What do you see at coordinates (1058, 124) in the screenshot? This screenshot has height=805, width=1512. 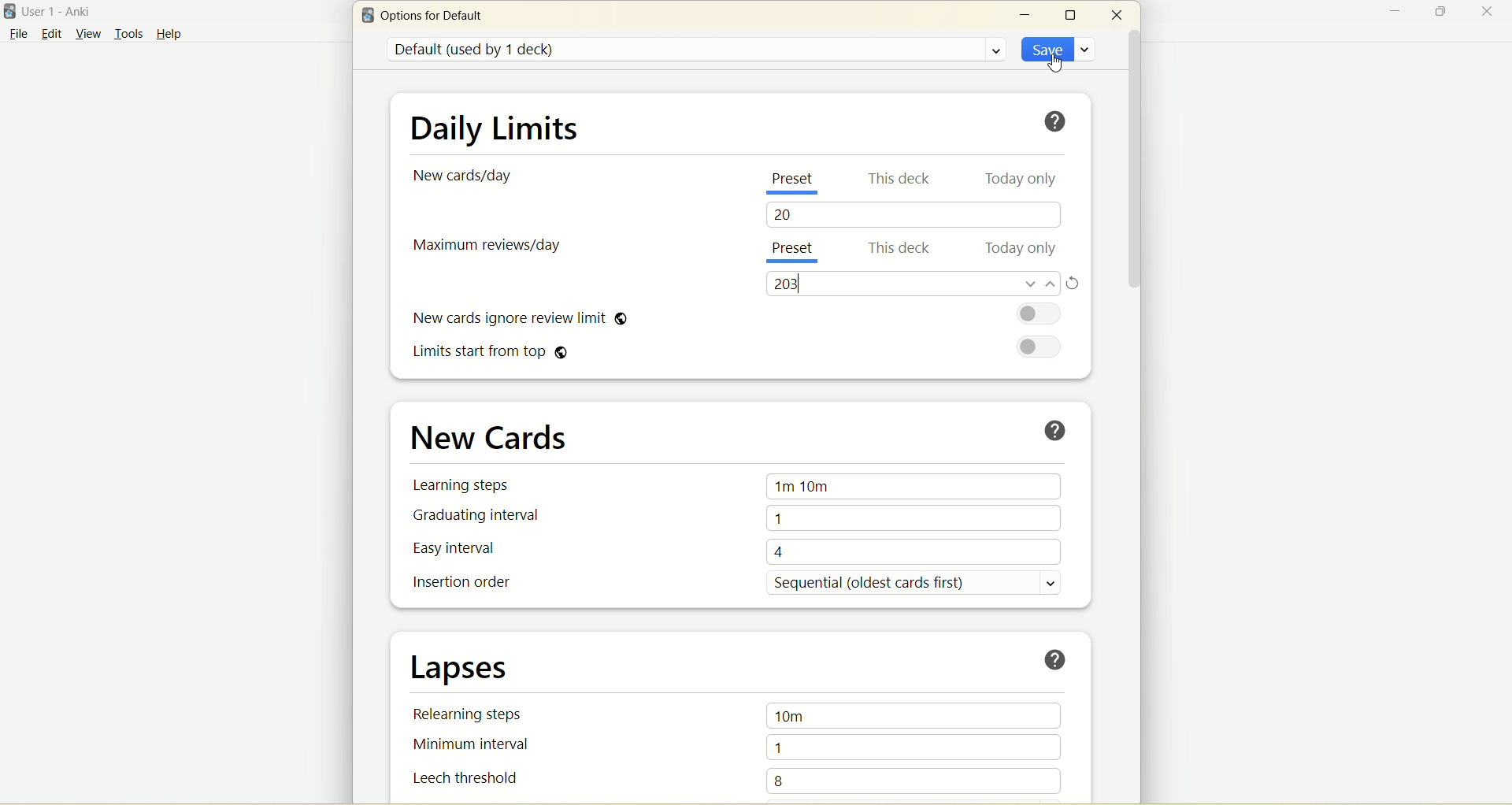 I see `help` at bounding box center [1058, 124].